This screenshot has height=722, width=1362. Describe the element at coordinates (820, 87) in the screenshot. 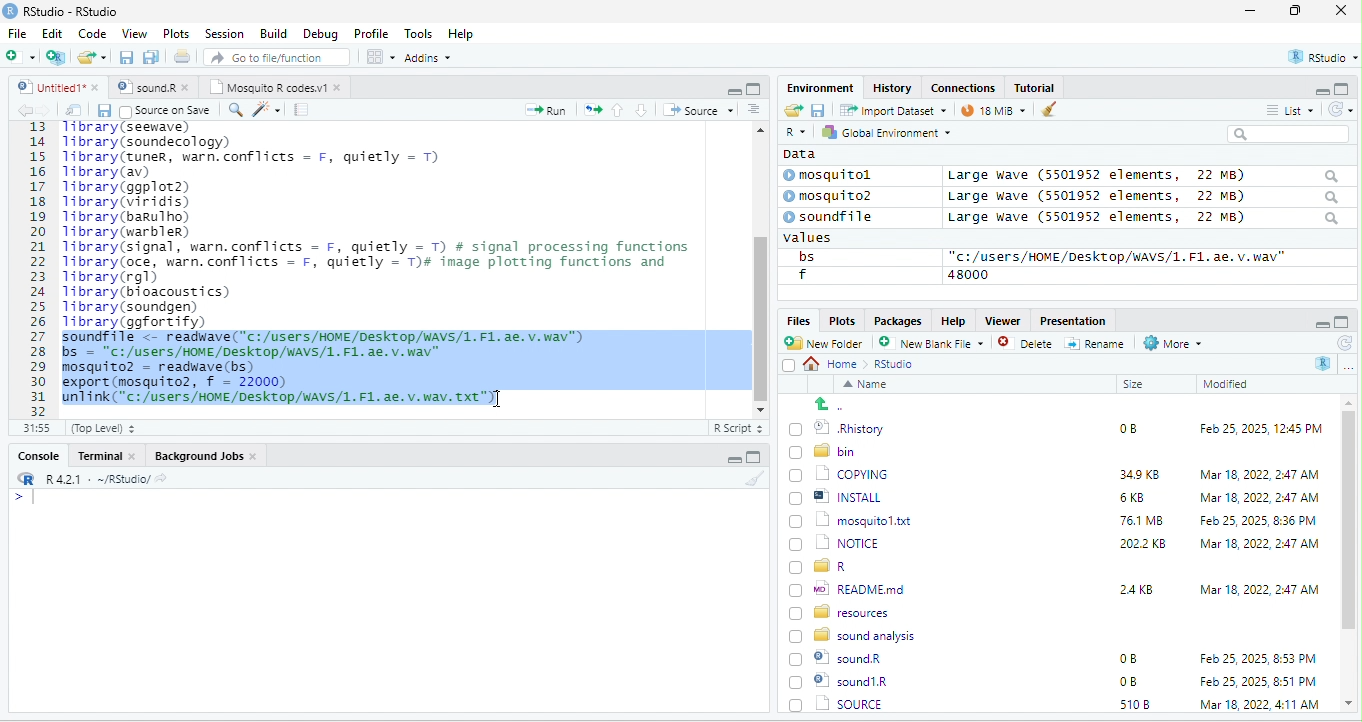

I see `Environment` at that location.